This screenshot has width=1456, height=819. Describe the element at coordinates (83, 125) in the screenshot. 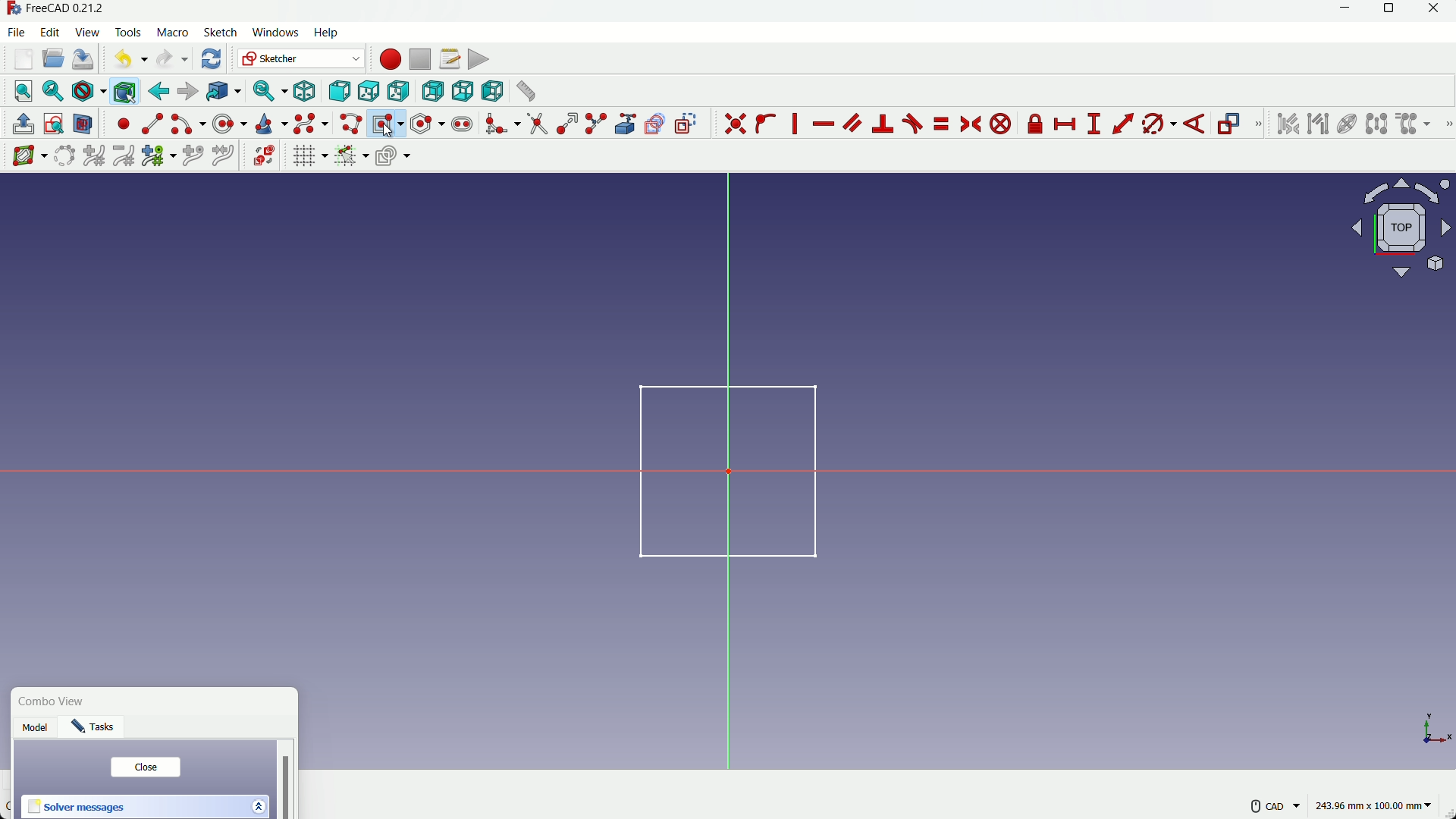

I see `view section` at that location.